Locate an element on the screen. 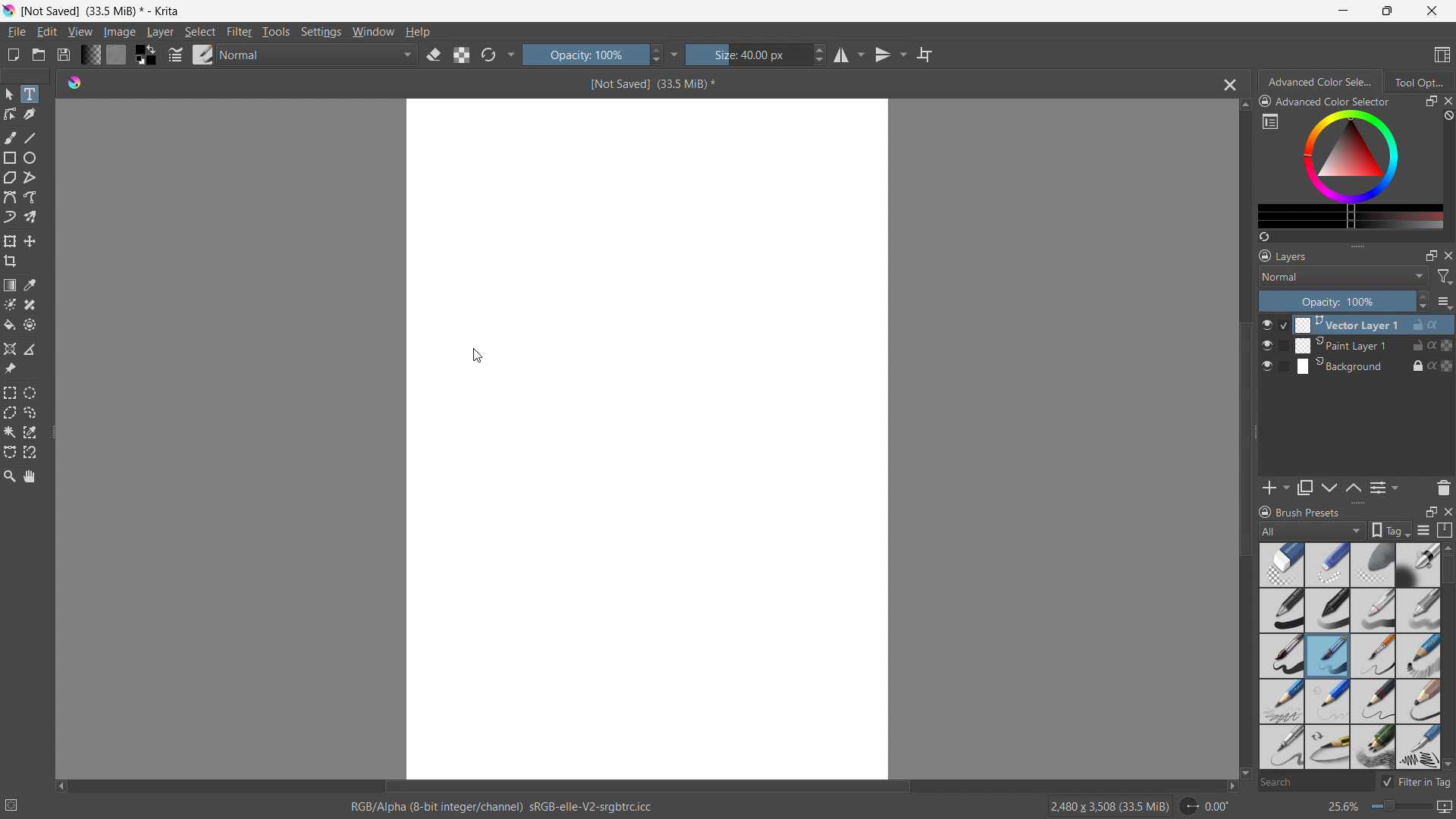  resize is located at coordinates (1357, 244).